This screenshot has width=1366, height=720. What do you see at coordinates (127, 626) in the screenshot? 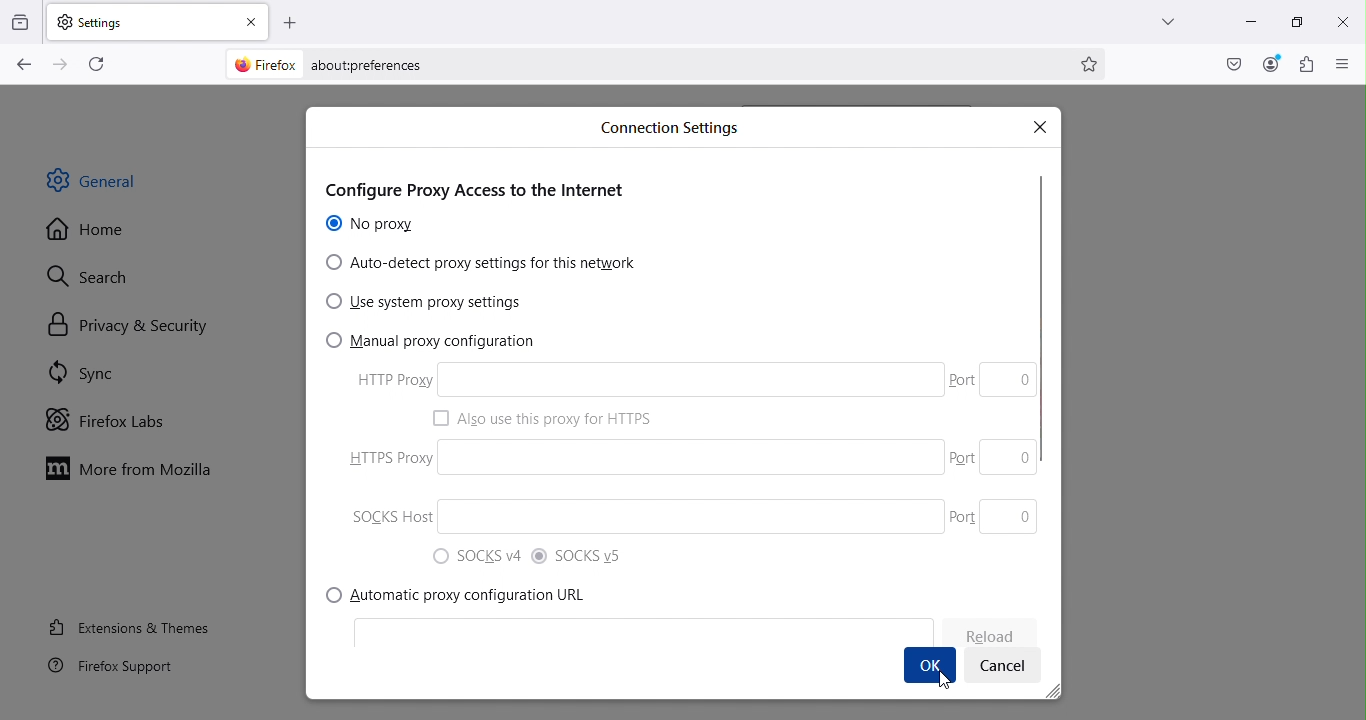
I see `Extensions and themes` at bounding box center [127, 626].